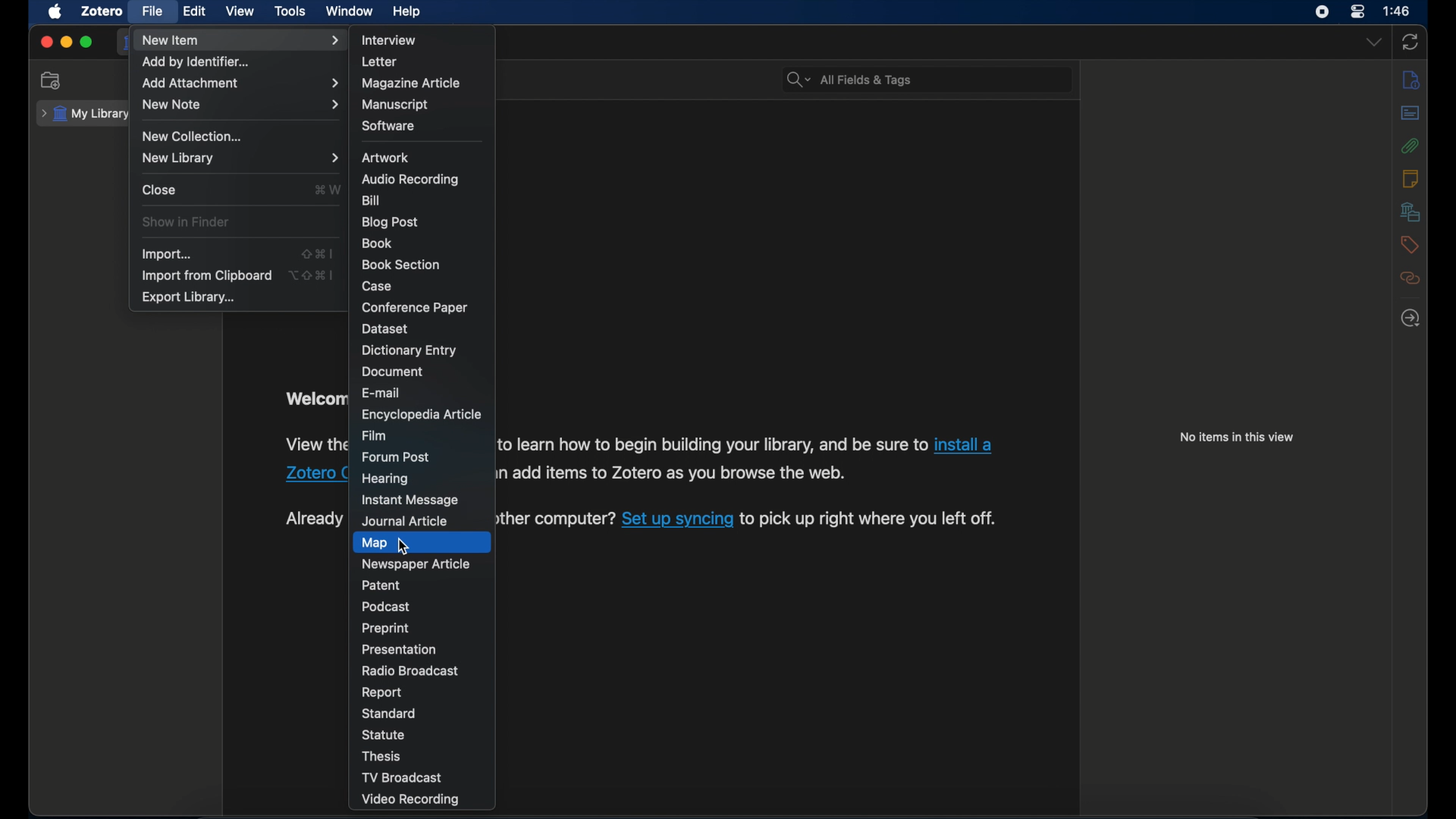  What do you see at coordinates (385, 157) in the screenshot?
I see `artwork` at bounding box center [385, 157].